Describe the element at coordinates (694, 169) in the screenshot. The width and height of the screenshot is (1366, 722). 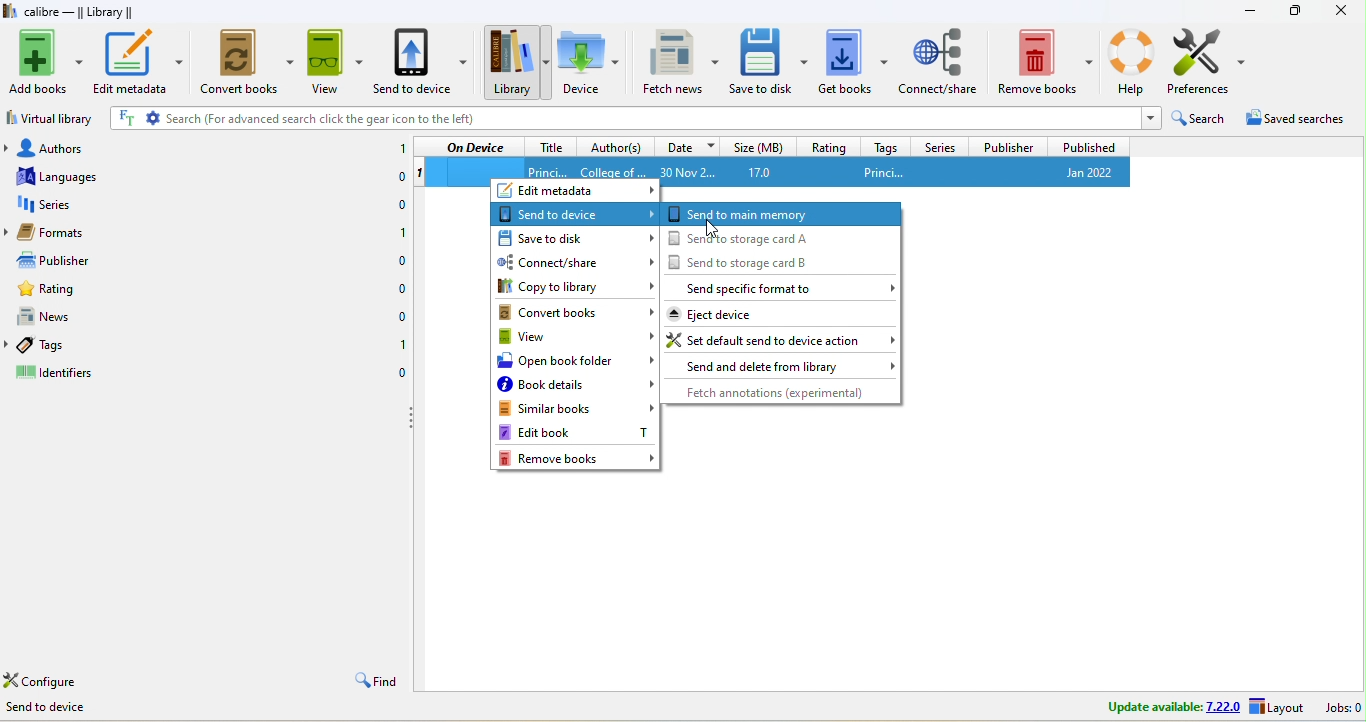
I see `30 nov 2` at that location.